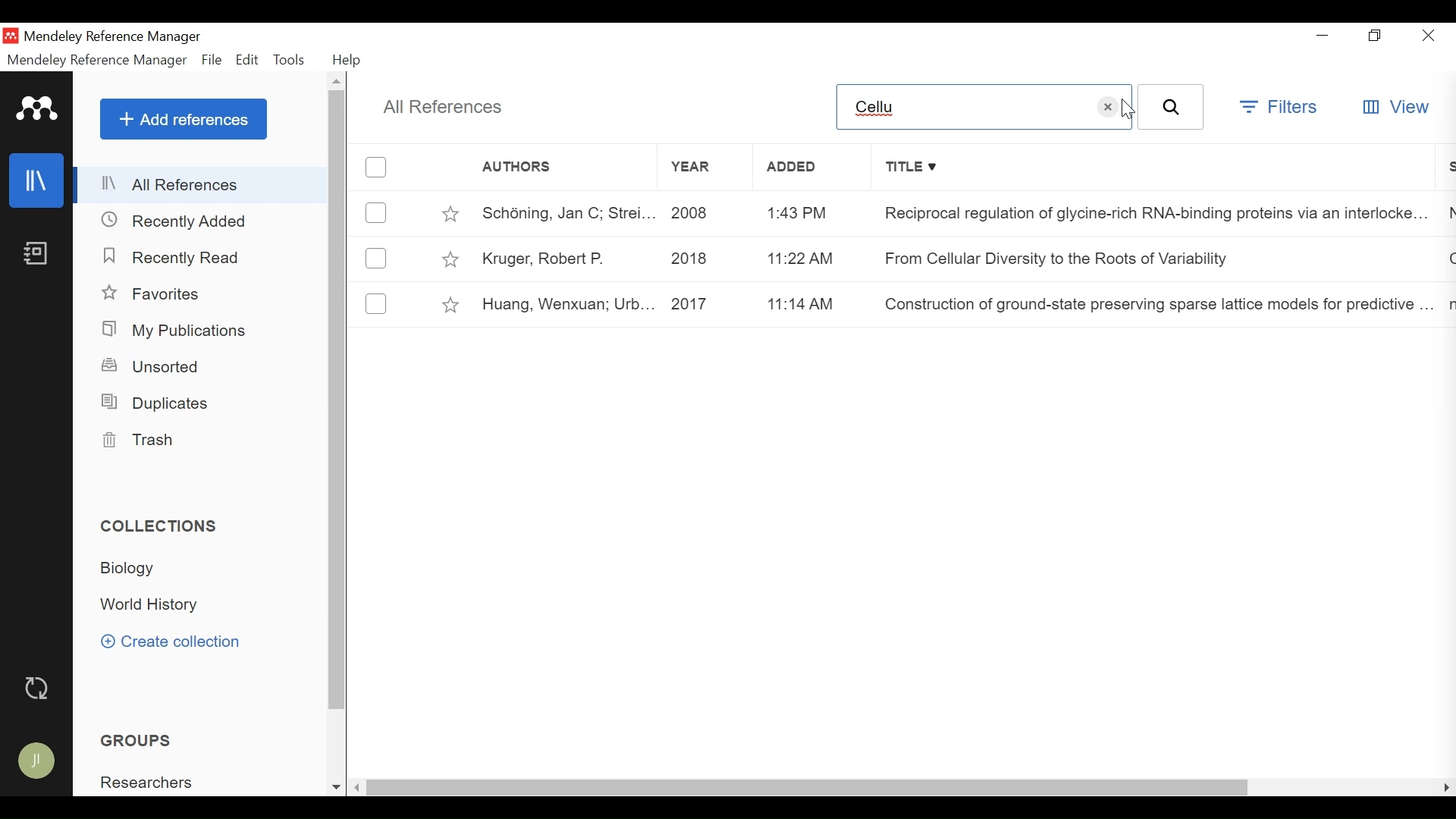  I want to click on Help, so click(347, 61).